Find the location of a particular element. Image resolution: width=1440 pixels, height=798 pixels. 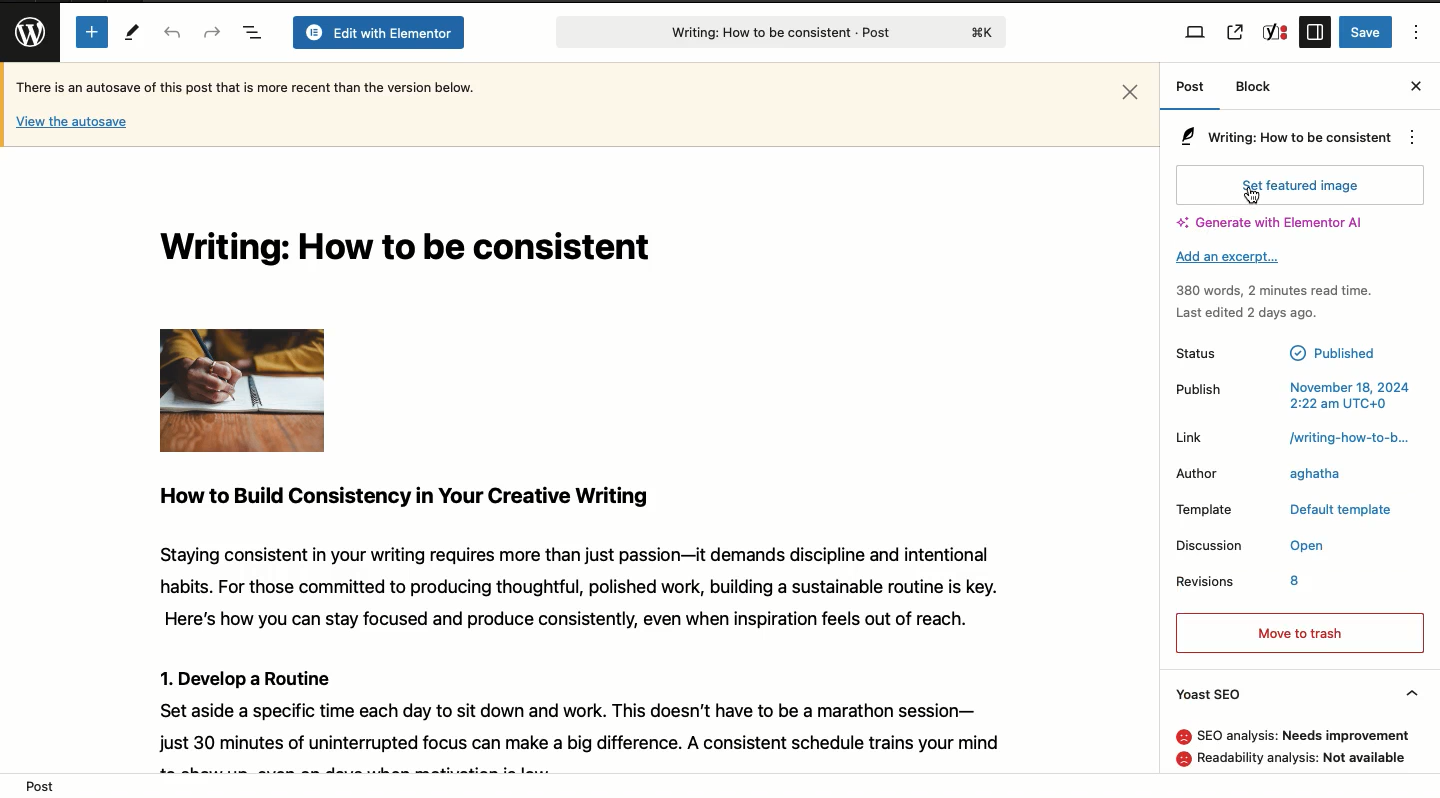

Status Published is located at coordinates (1280, 351).